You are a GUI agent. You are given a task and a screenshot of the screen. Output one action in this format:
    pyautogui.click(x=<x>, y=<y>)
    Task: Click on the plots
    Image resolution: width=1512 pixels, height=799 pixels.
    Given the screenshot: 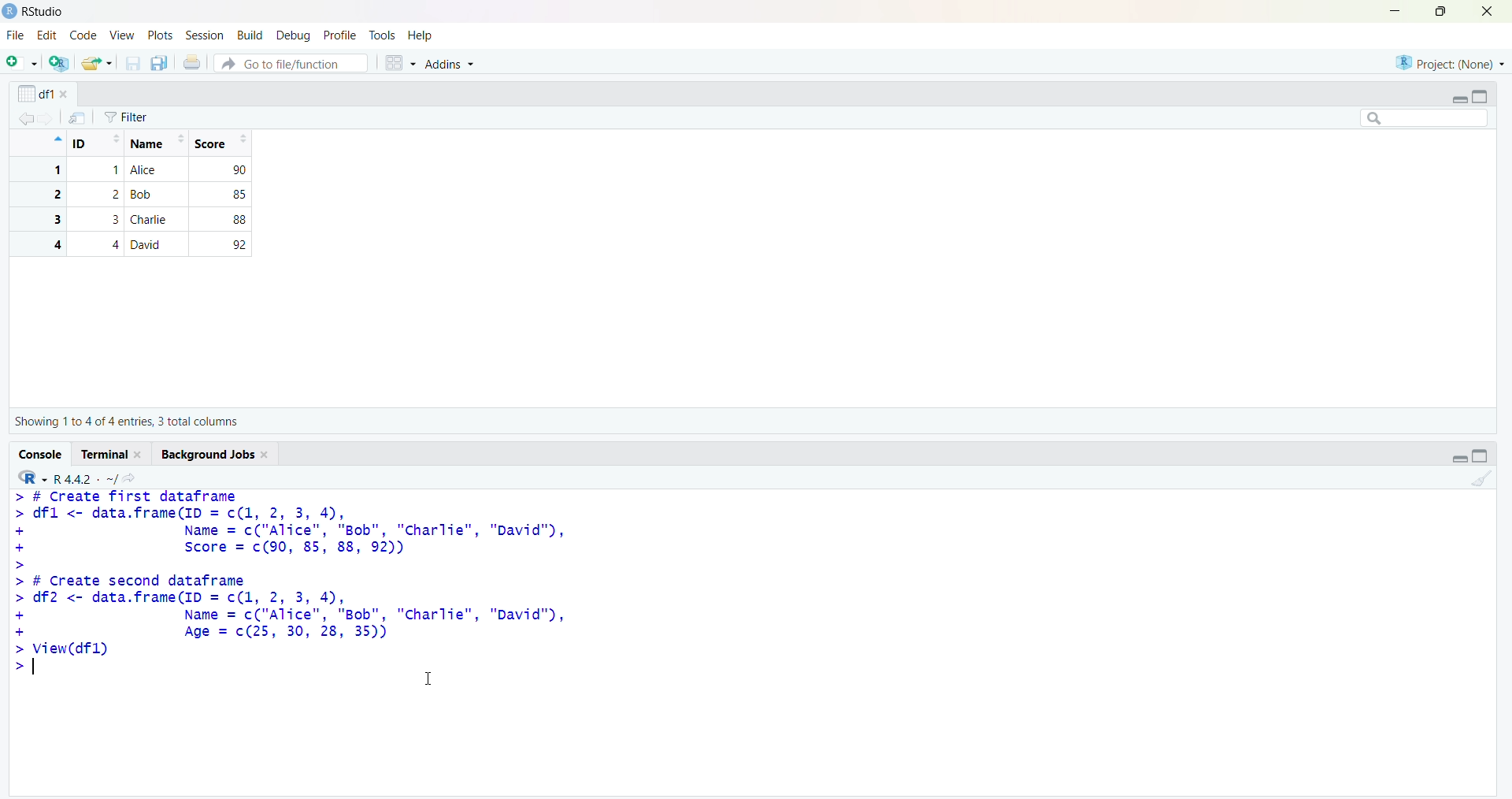 What is the action you would take?
    pyautogui.click(x=162, y=36)
    